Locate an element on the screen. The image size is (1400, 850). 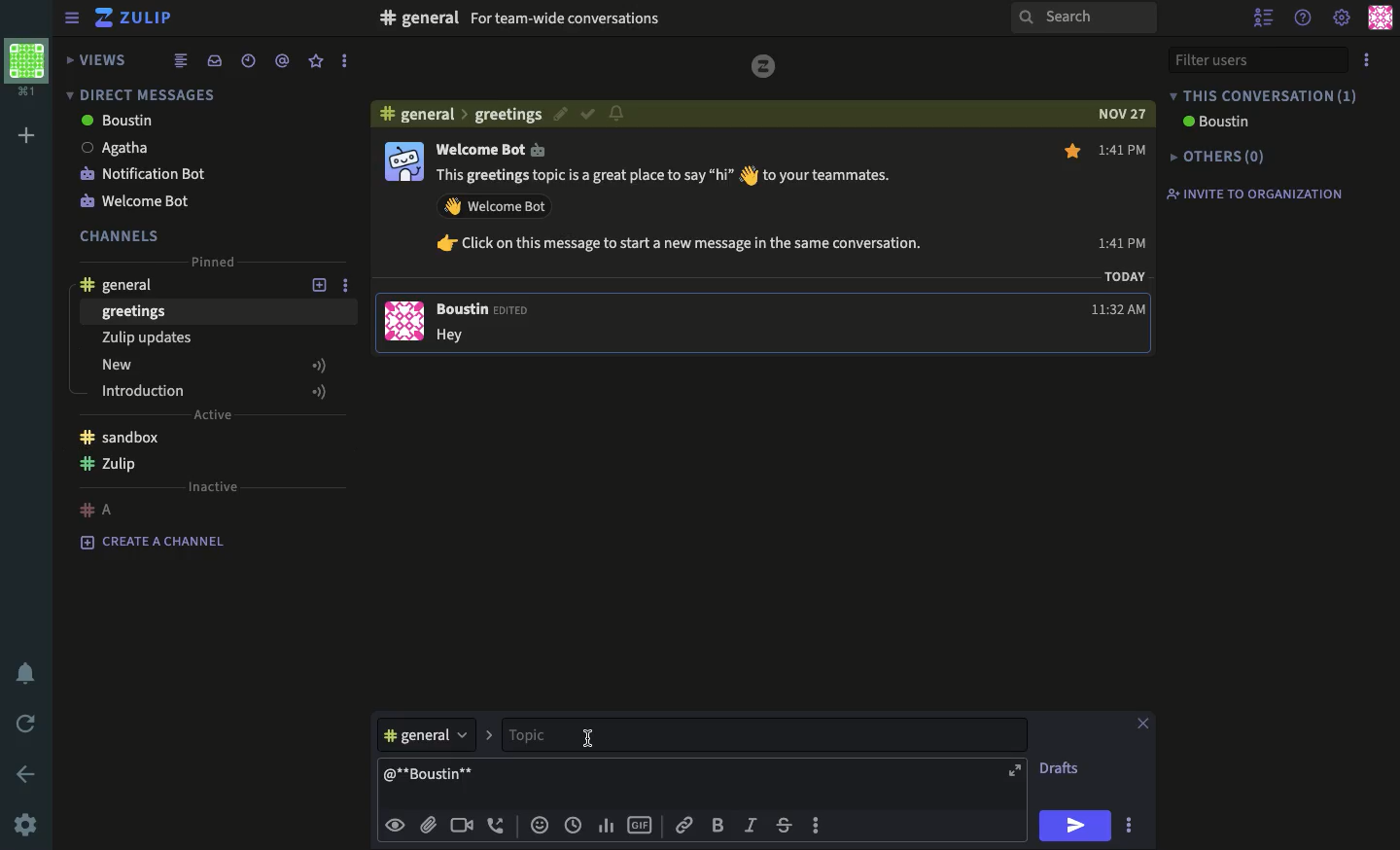
11:32 AM is located at coordinates (1121, 310).